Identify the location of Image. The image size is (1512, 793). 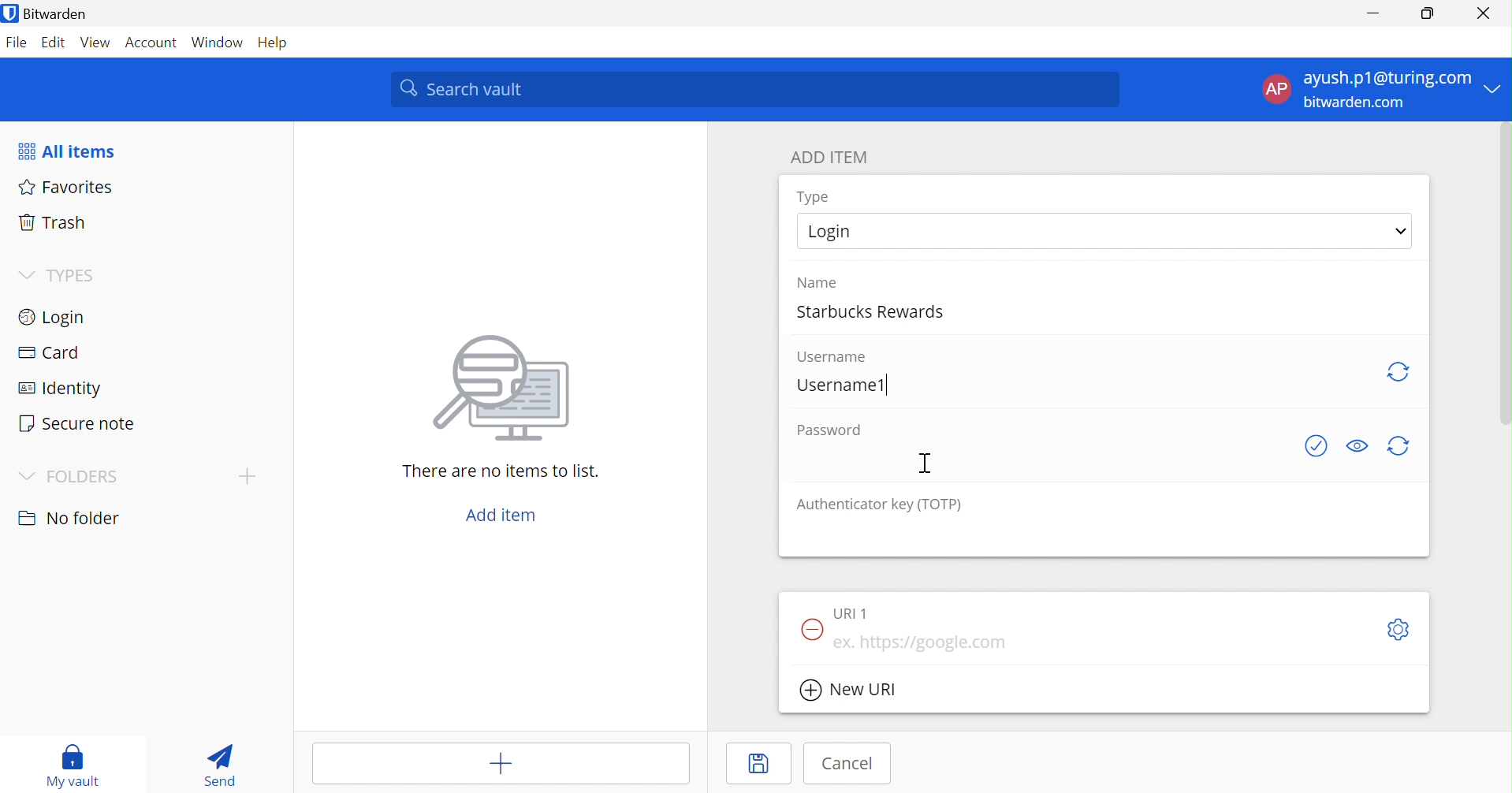
(505, 390).